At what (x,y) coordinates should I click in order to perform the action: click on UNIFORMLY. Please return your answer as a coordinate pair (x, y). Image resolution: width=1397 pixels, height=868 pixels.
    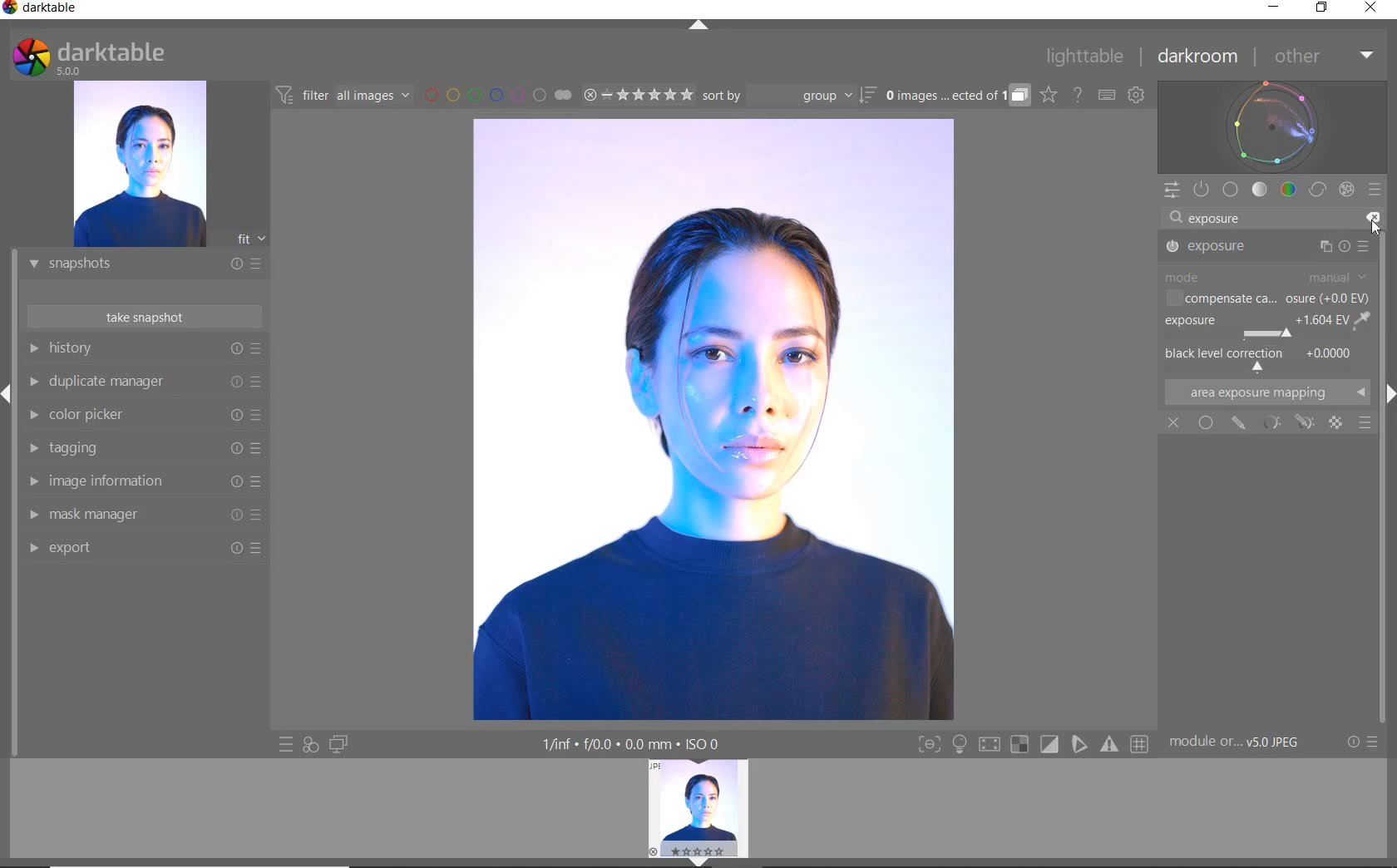
    Looking at the image, I should click on (1206, 422).